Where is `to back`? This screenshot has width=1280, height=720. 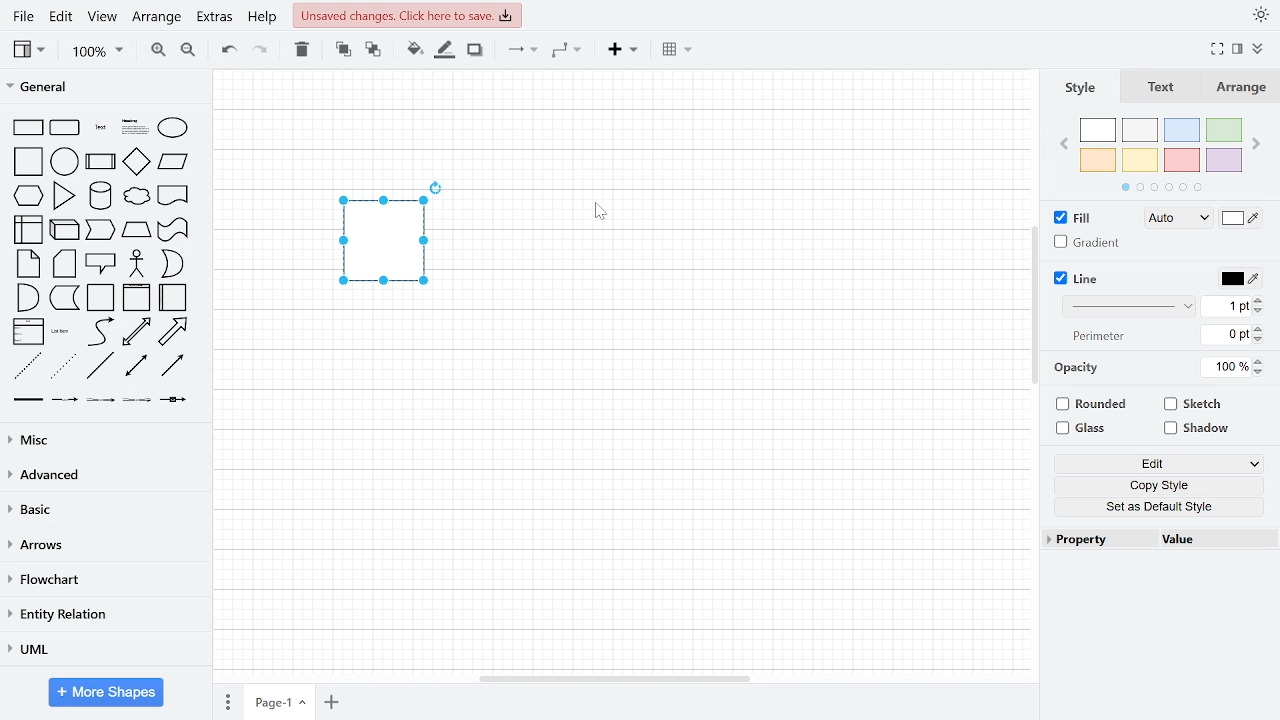 to back is located at coordinates (373, 48).